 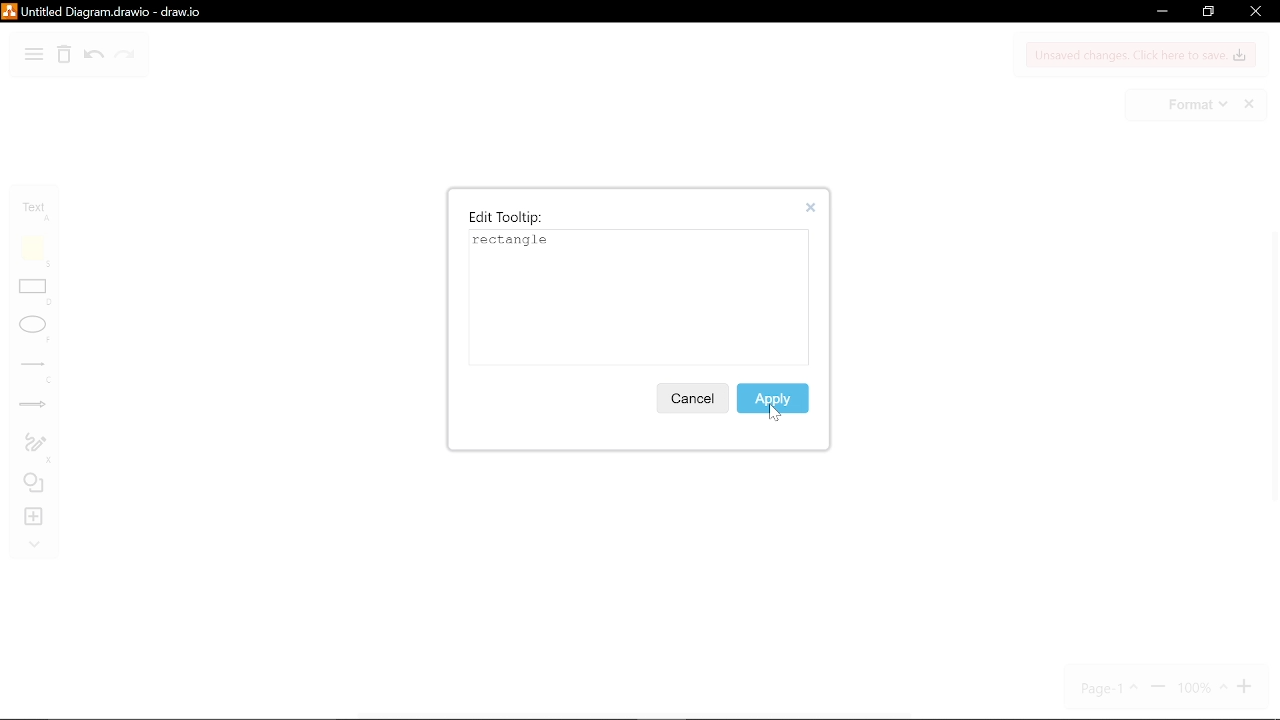 What do you see at coordinates (506, 217) in the screenshot?
I see `edit tooltip:` at bounding box center [506, 217].